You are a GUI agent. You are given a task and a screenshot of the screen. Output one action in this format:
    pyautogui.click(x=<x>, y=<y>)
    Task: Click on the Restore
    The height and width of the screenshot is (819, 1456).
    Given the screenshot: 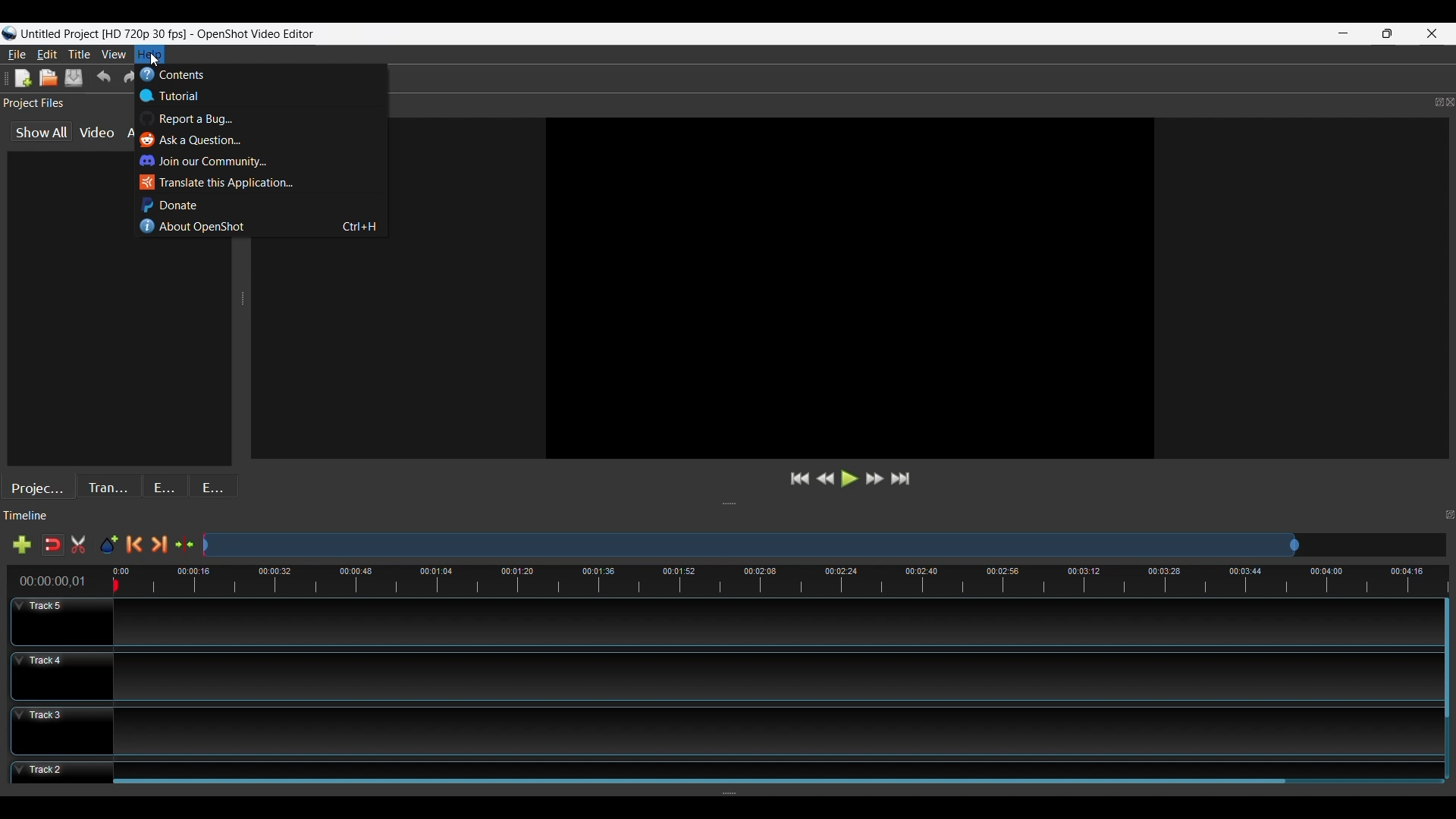 What is the action you would take?
    pyautogui.click(x=1386, y=34)
    